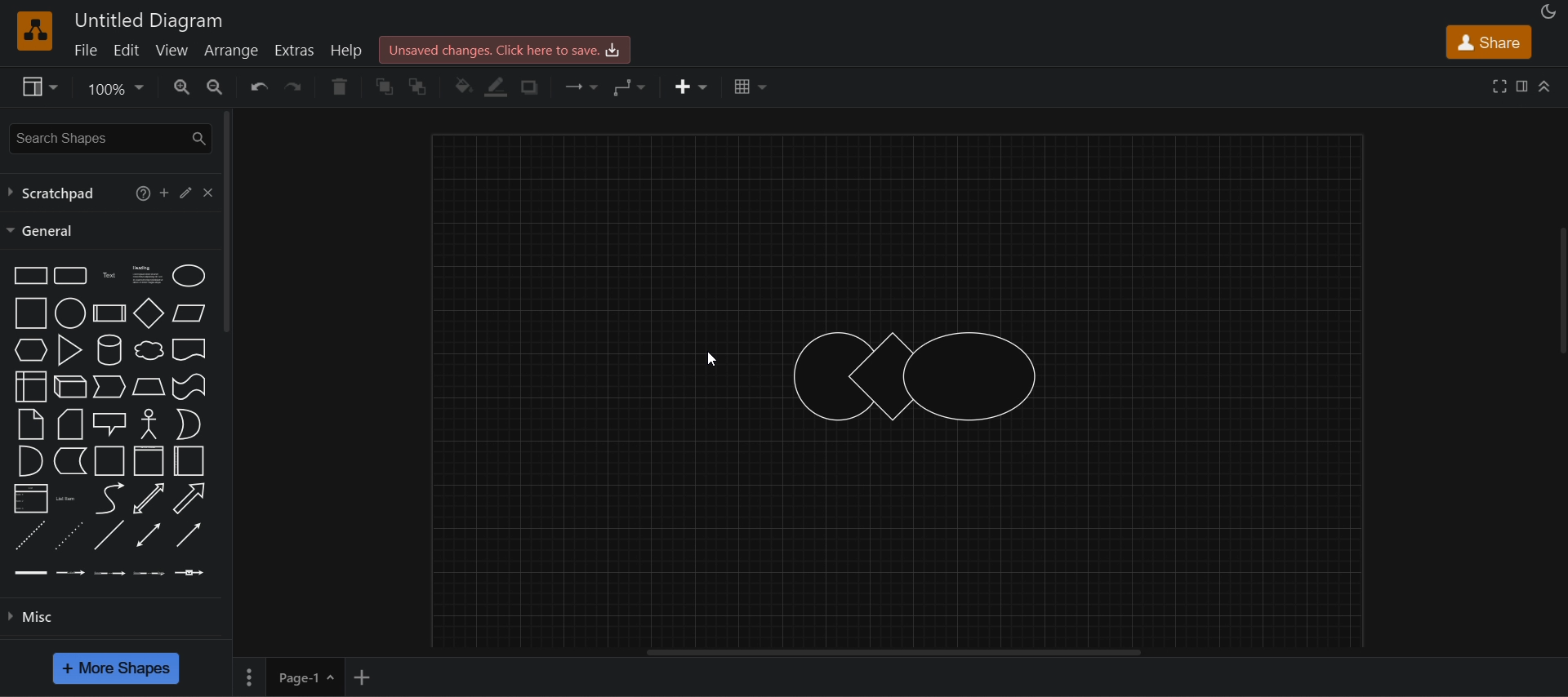  I want to click on help, so click(139, 192).